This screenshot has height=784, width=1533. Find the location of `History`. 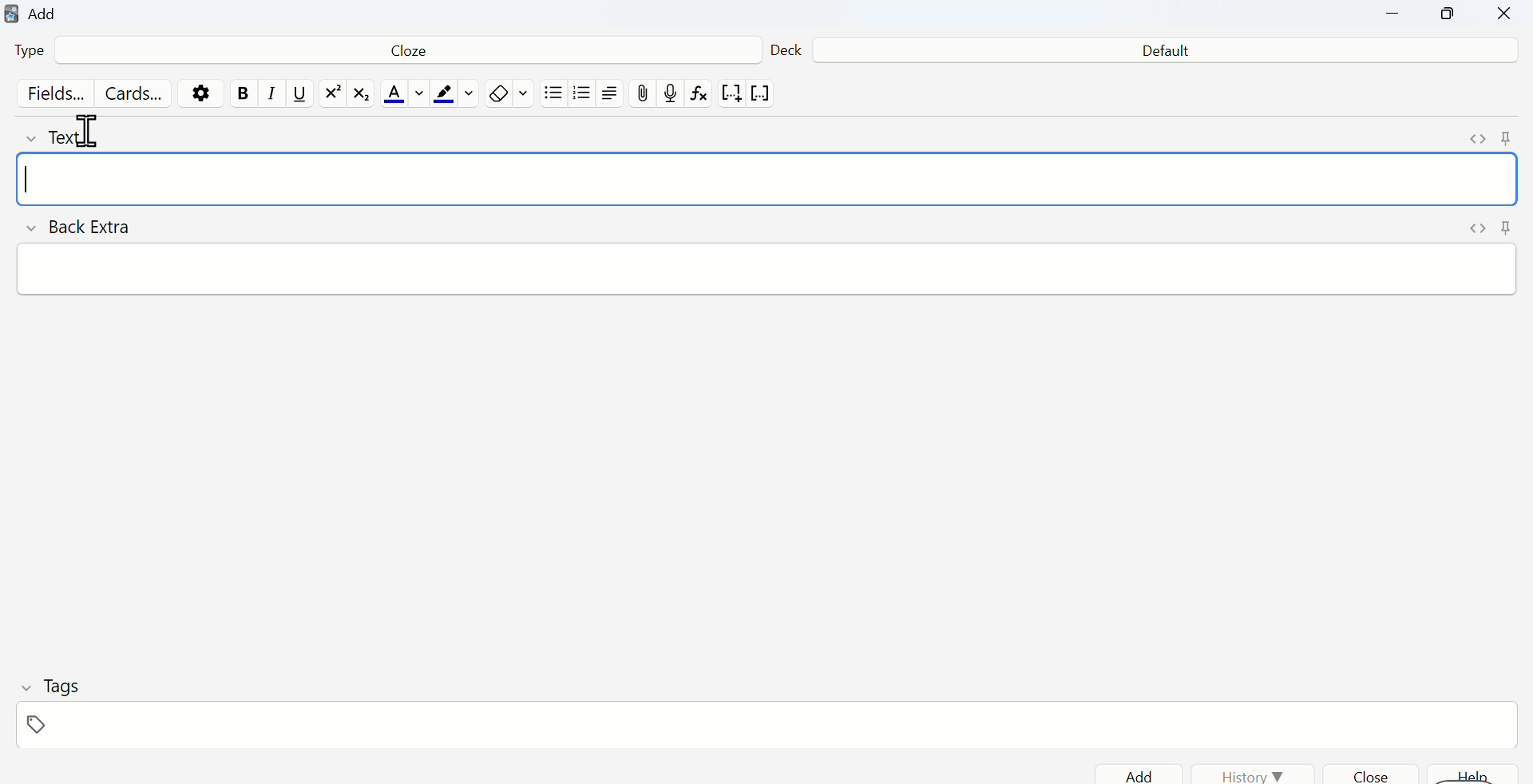

History is located at coordinates (1254, 774).